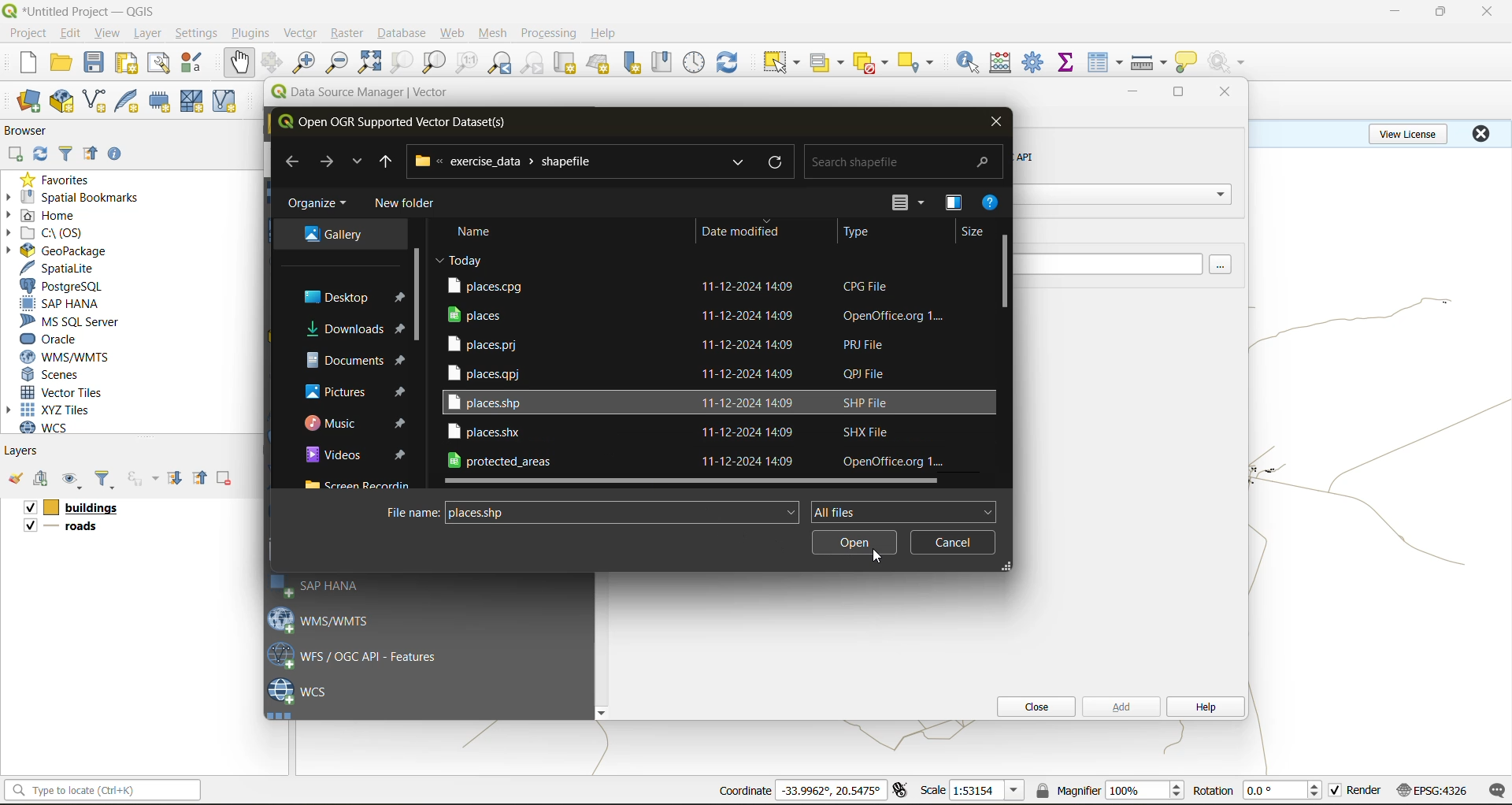  Describe the element at coordinates (932, 789) in the screenshot. I see `scale` at that location.